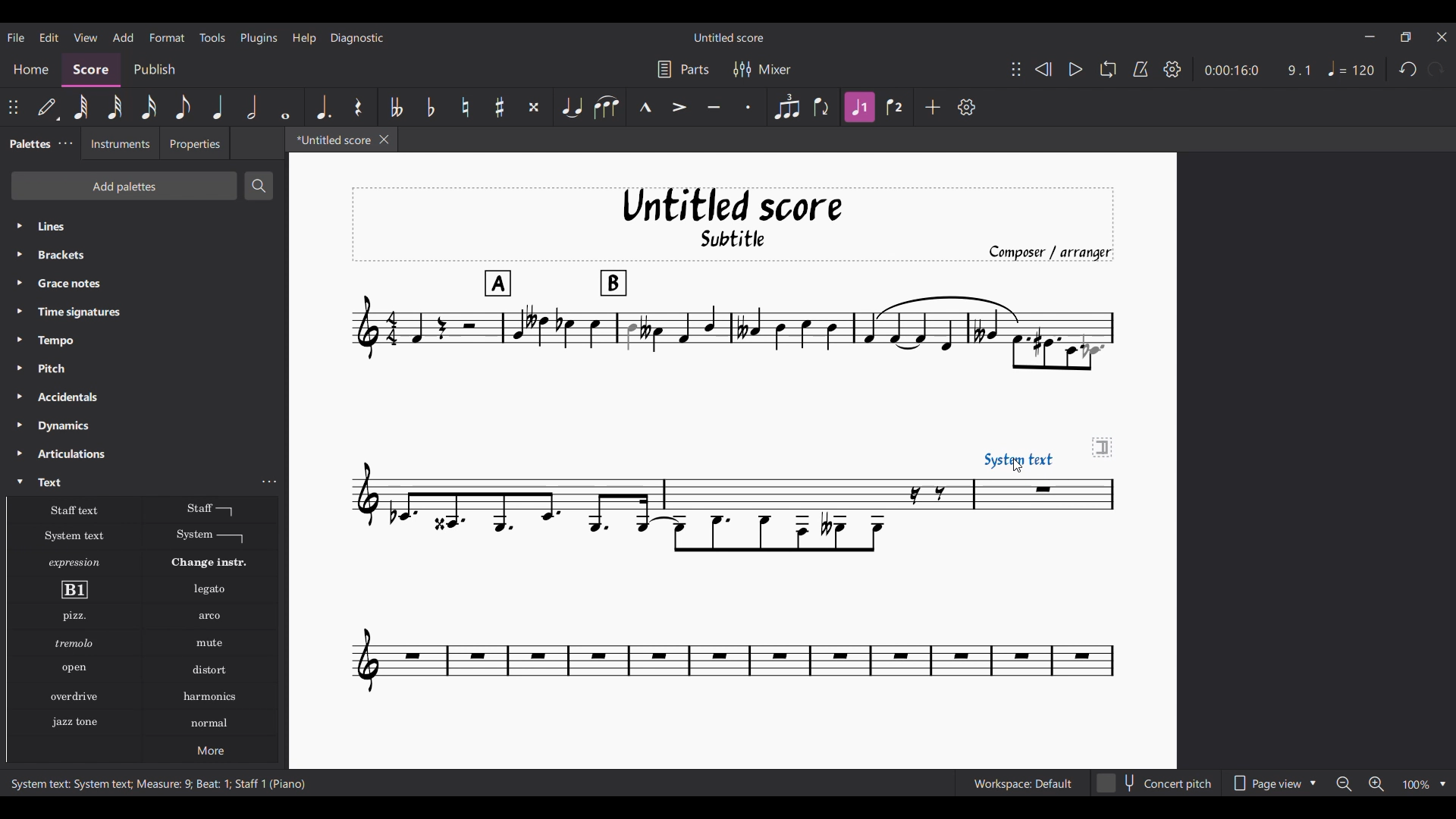 This screenshot has width=1456, height=819. I want to click on Redo, so click(1436, 69).